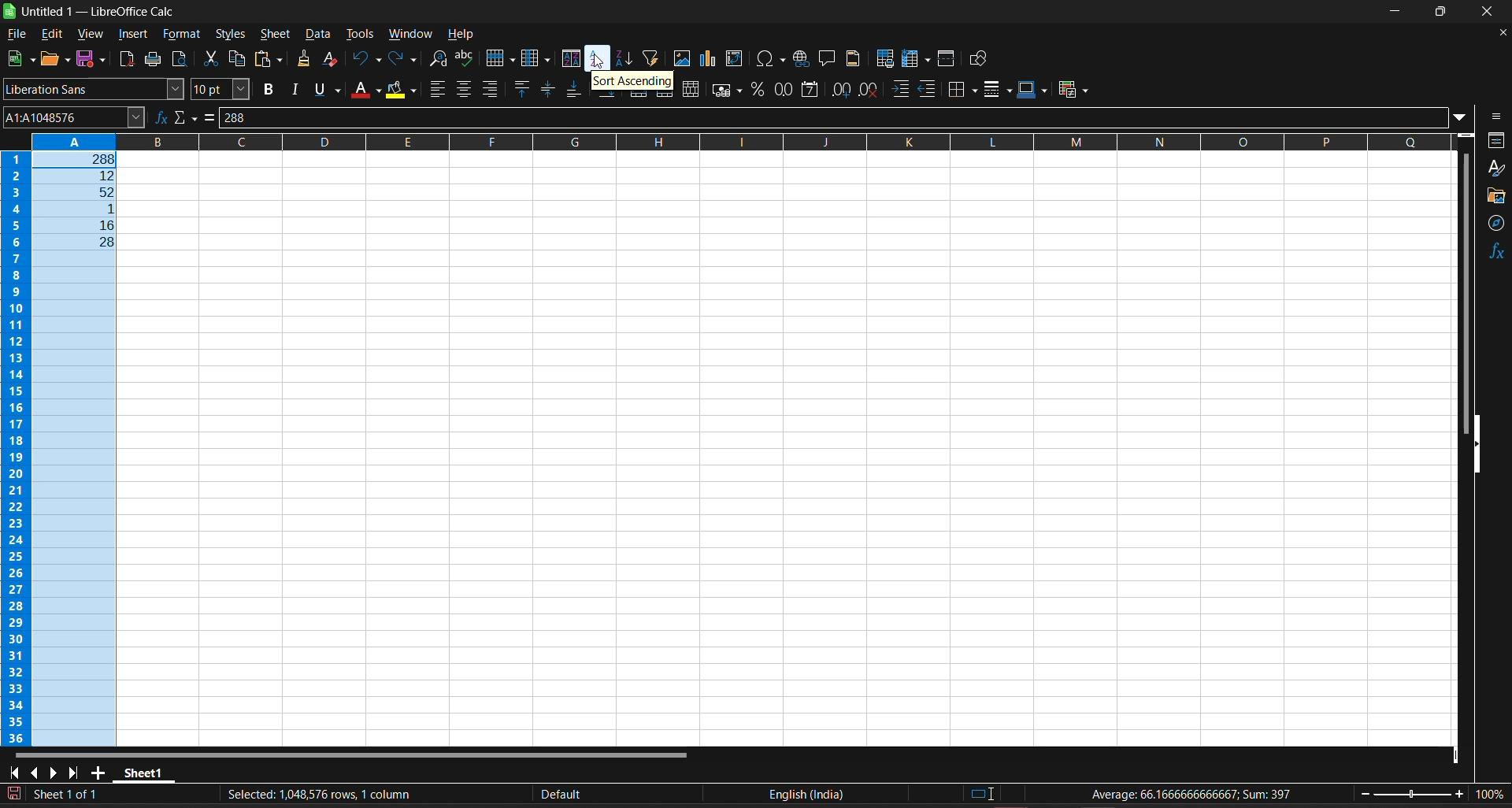  What do you see at coordinates (981, 59) in the screenshot?
I see `show draw function` at bounding box center [981, 59].